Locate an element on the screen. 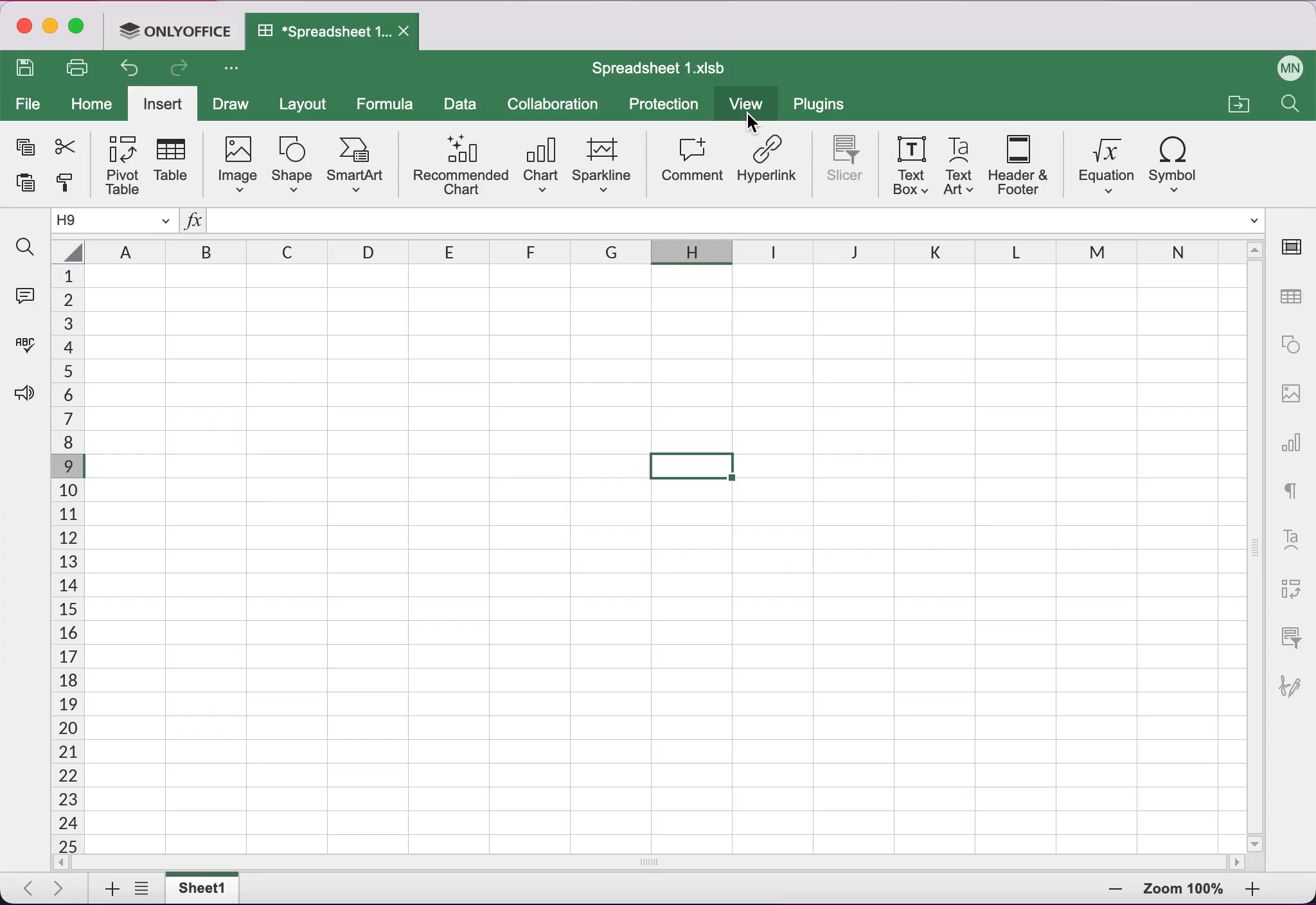  protection is located at coordinates (664, 105).